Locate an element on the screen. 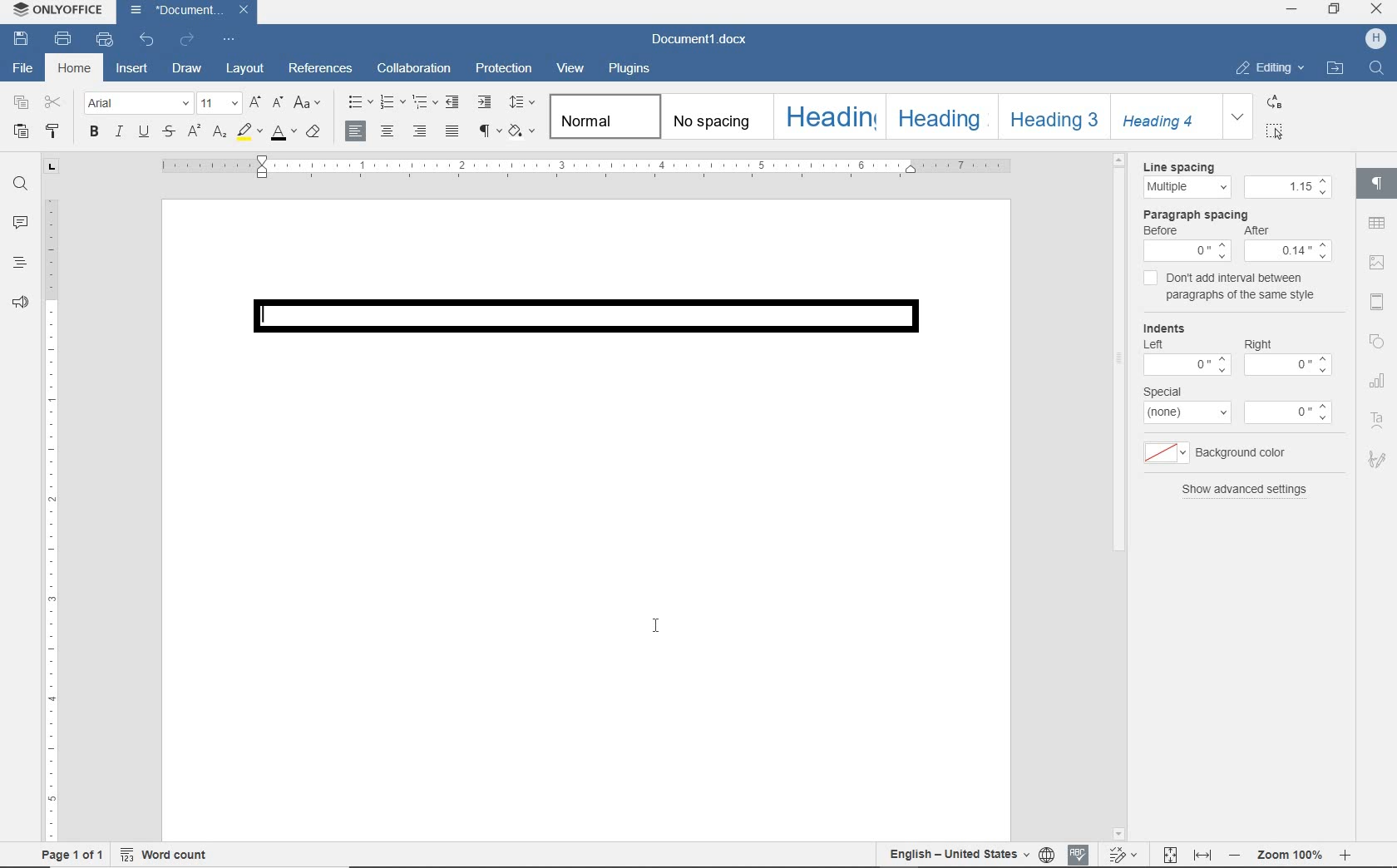  CLOSE is located at coordinates (1375, 9).